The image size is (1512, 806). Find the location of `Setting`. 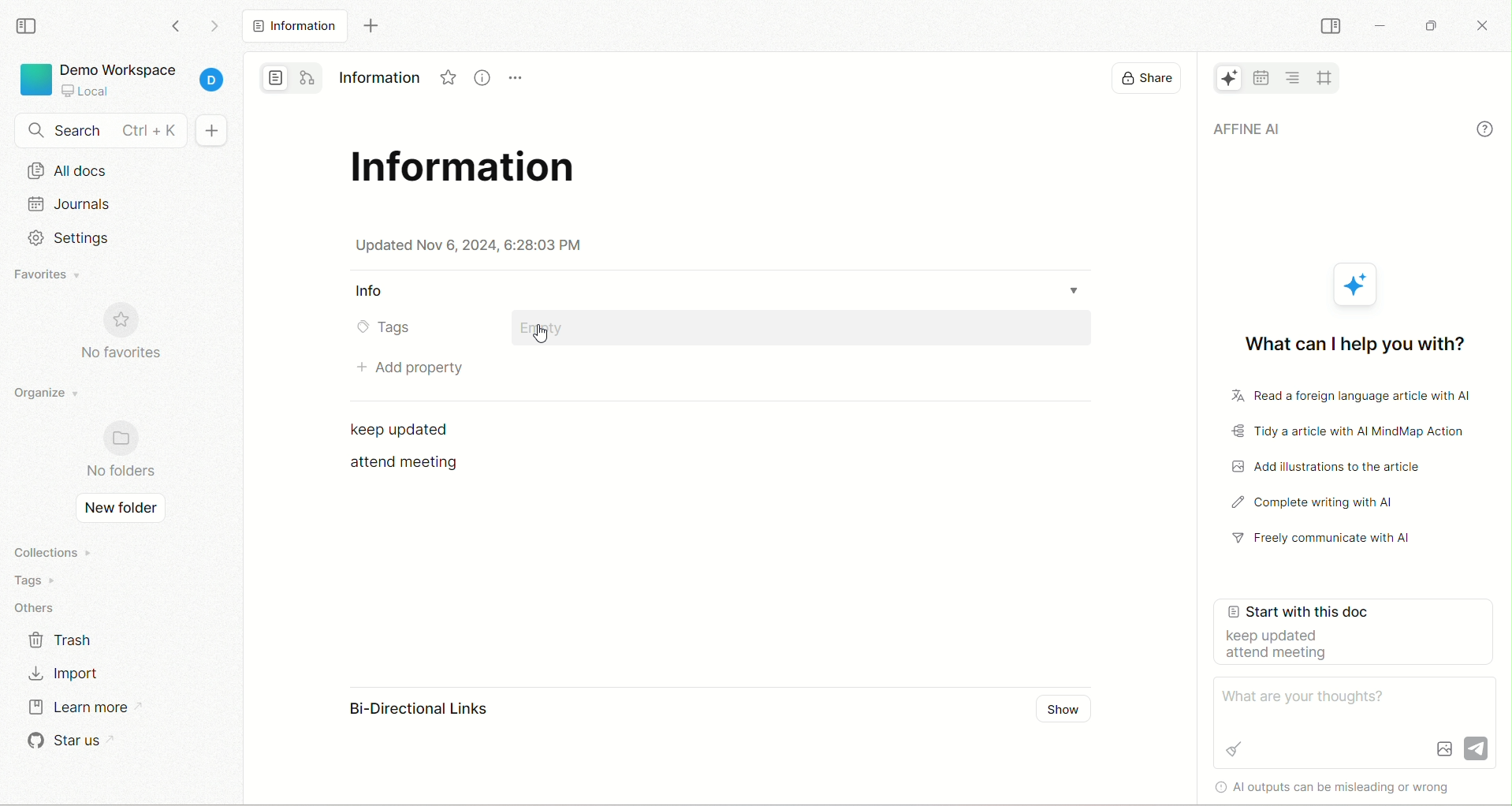

Setting is located at coordinates (69, 238).